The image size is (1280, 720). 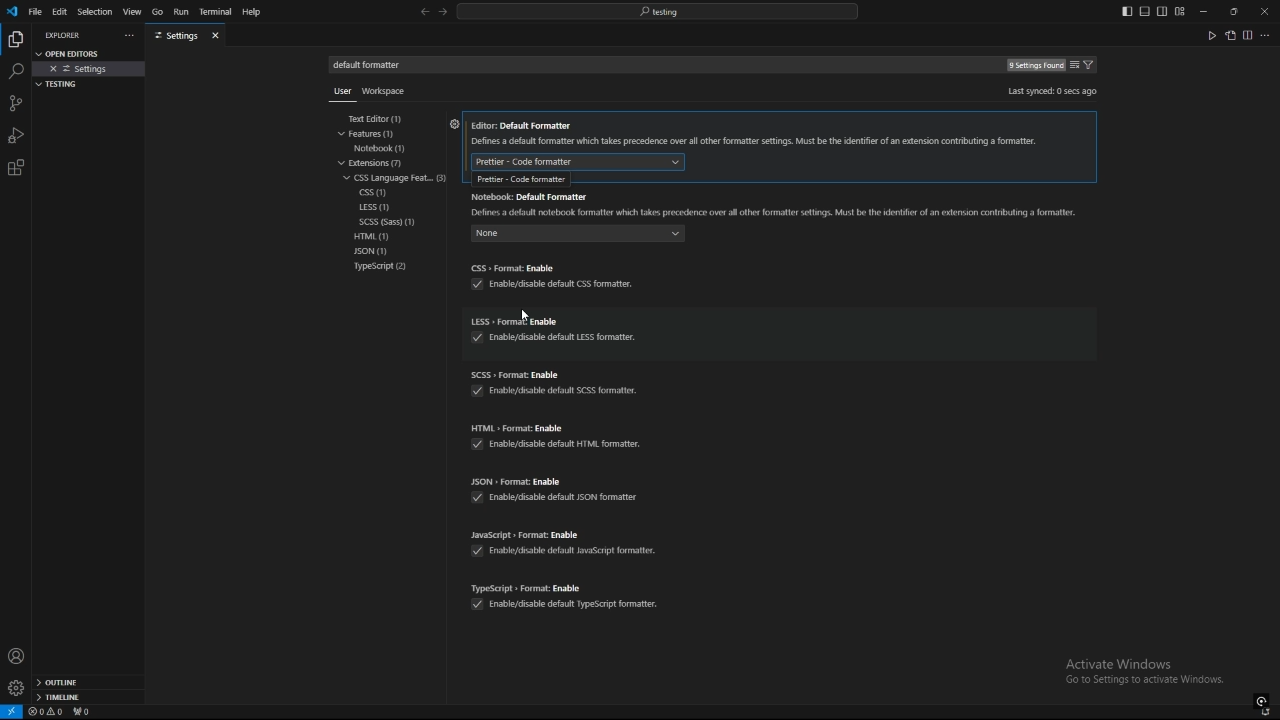 I want to click on settings, so click(x=90, y=69).